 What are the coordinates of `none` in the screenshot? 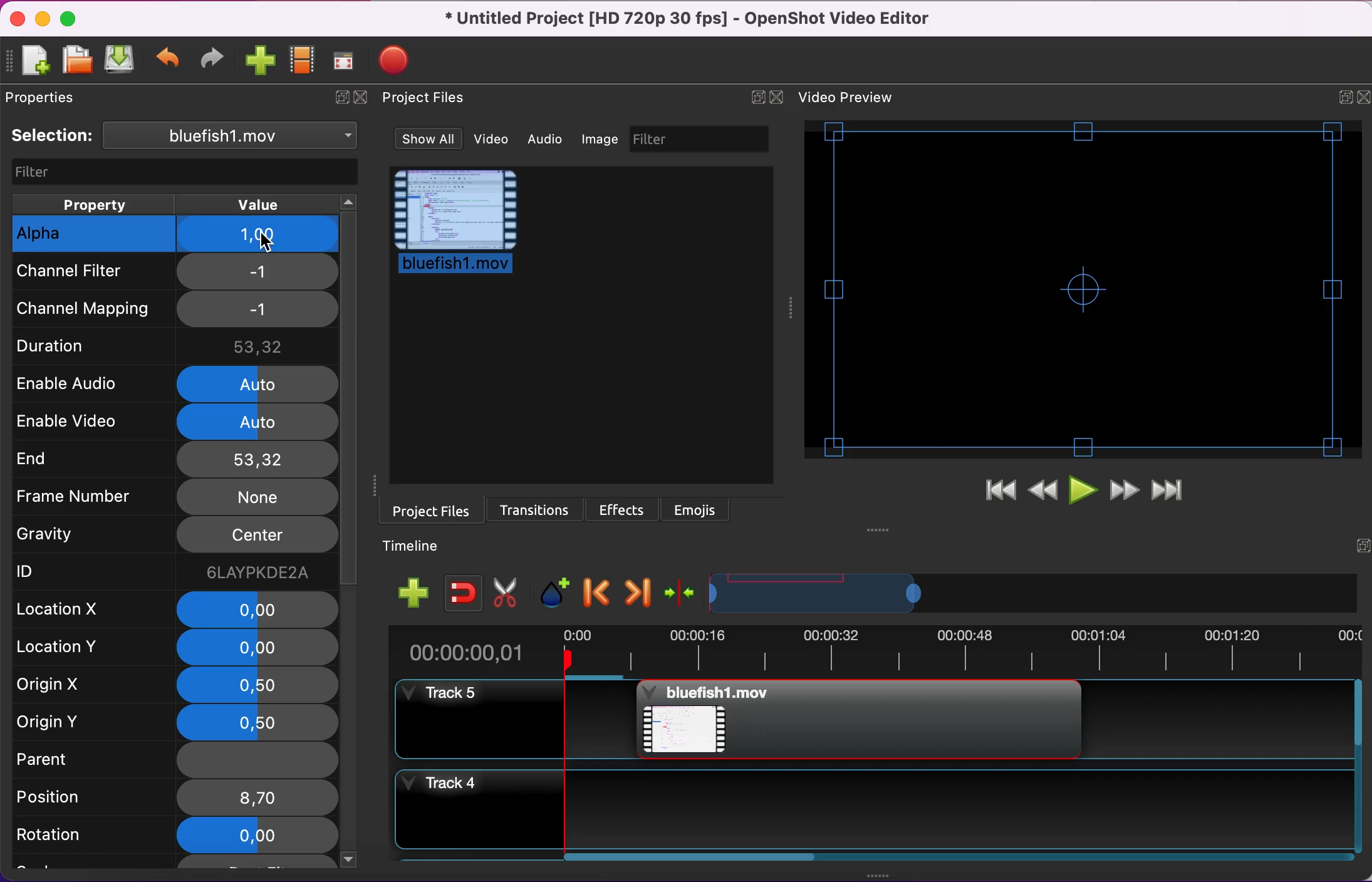 It's located at (256, 497).